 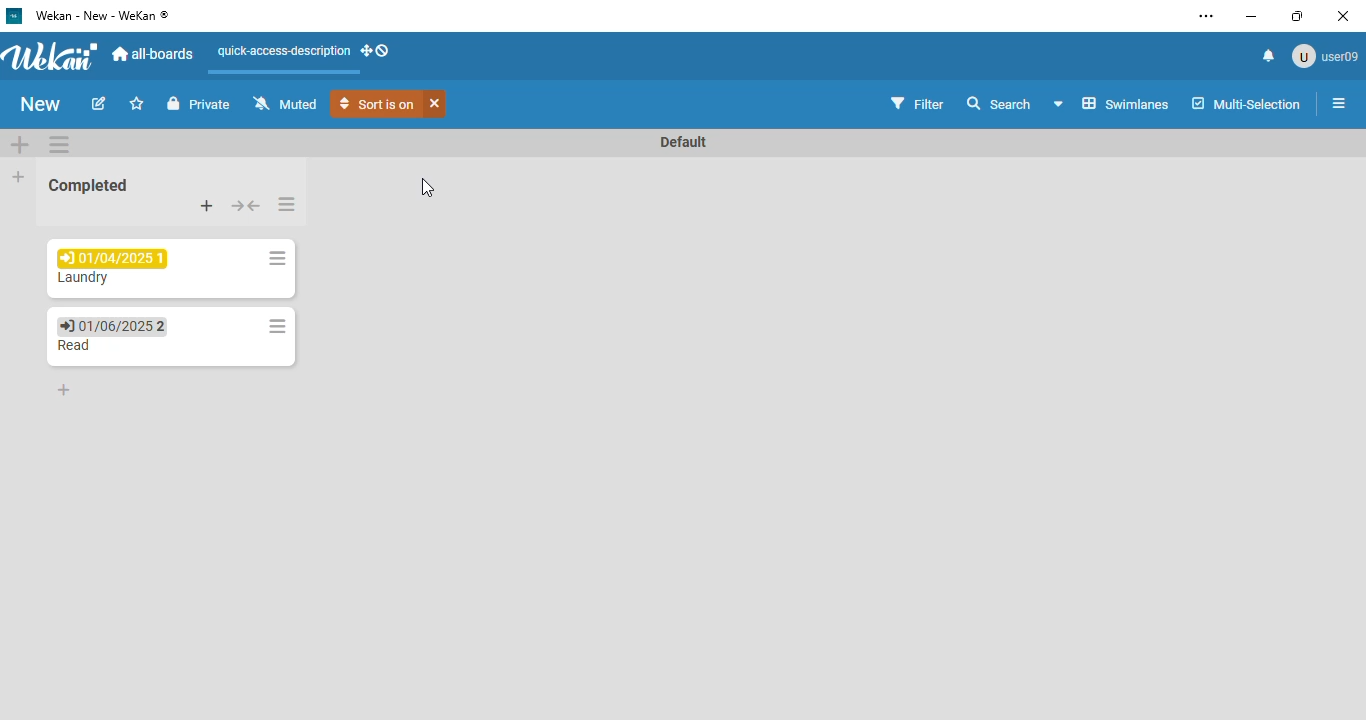 I want to click on add list, so click(x=19, y=176).